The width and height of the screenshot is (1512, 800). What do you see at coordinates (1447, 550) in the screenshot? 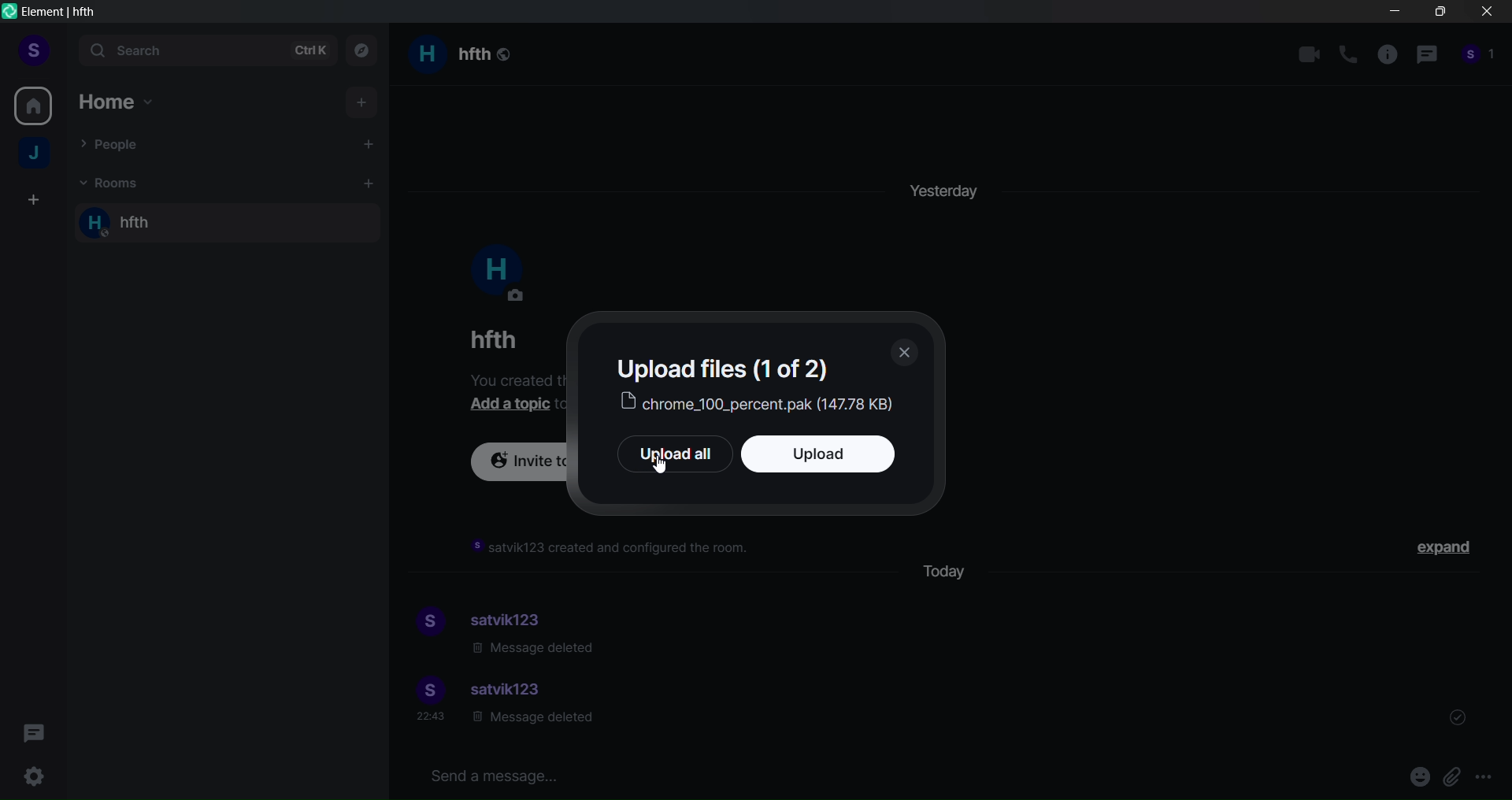
I see `expand` at bounding box center [1447, 550].